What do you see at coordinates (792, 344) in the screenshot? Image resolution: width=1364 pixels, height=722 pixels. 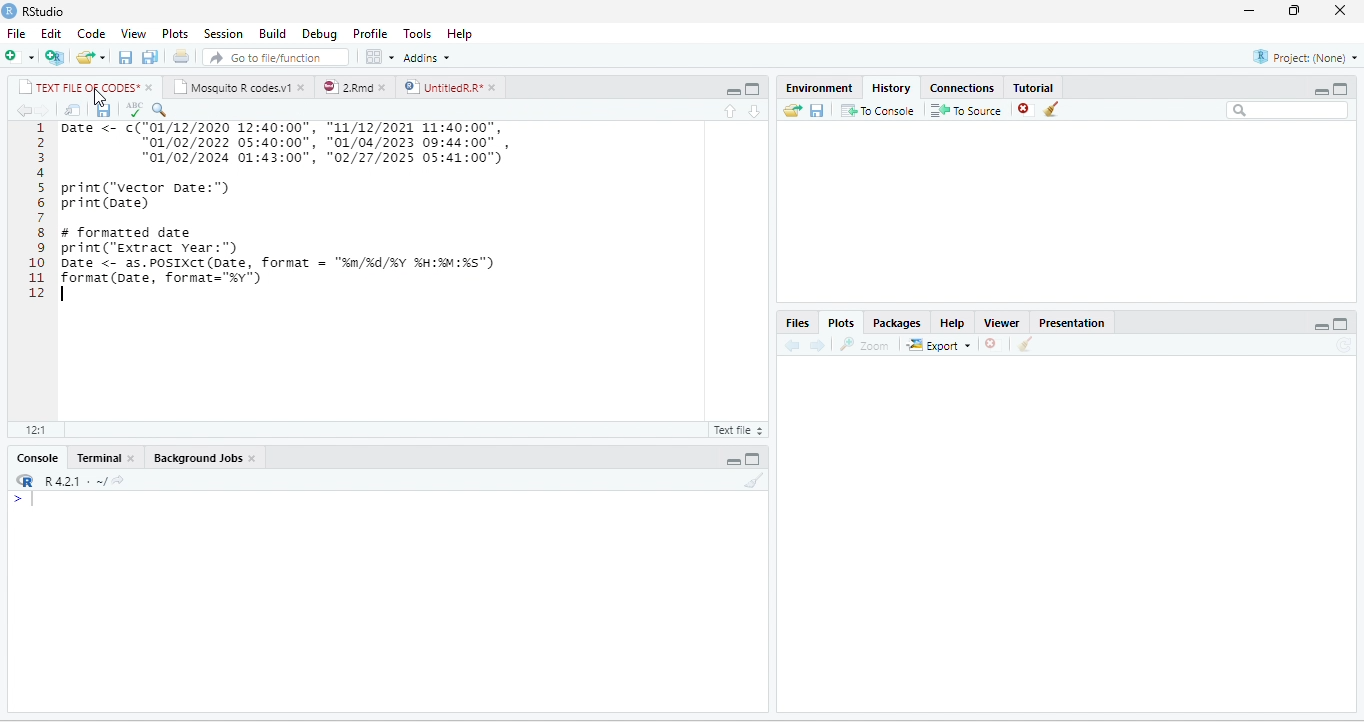 I see `back` at bounding box center [792, 344].